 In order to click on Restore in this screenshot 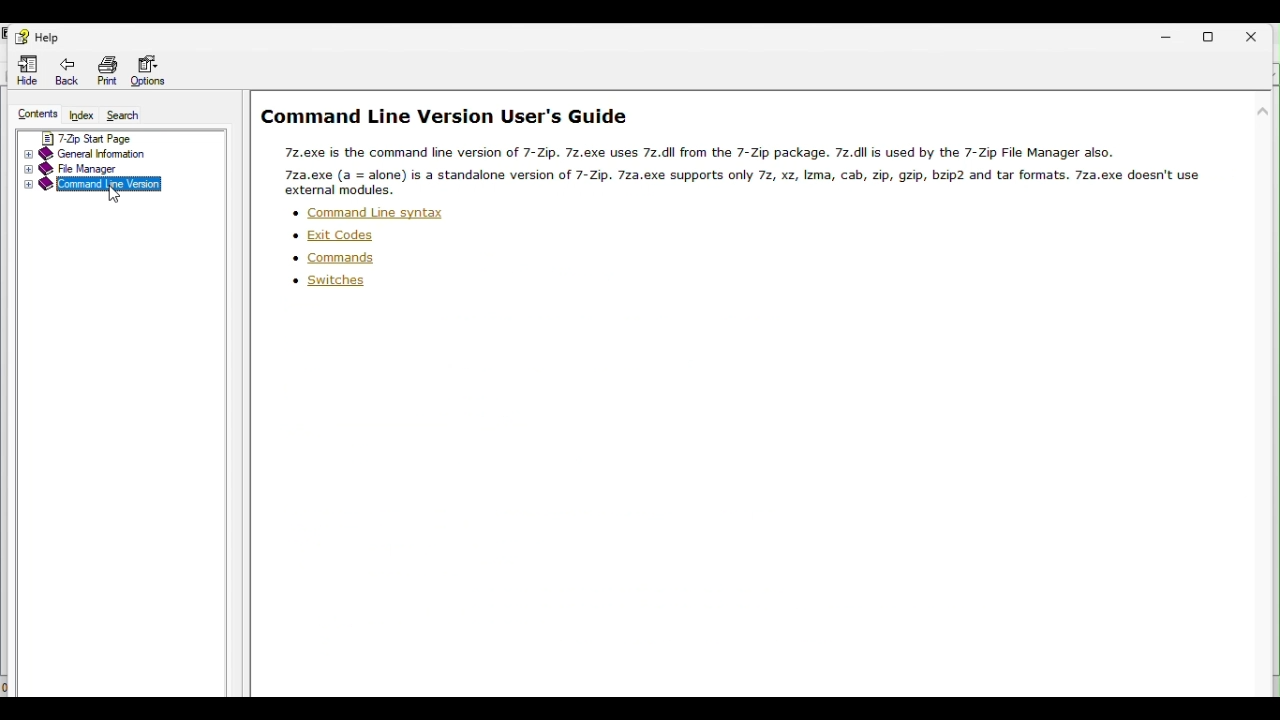, I will do `click(1215, 34)`.